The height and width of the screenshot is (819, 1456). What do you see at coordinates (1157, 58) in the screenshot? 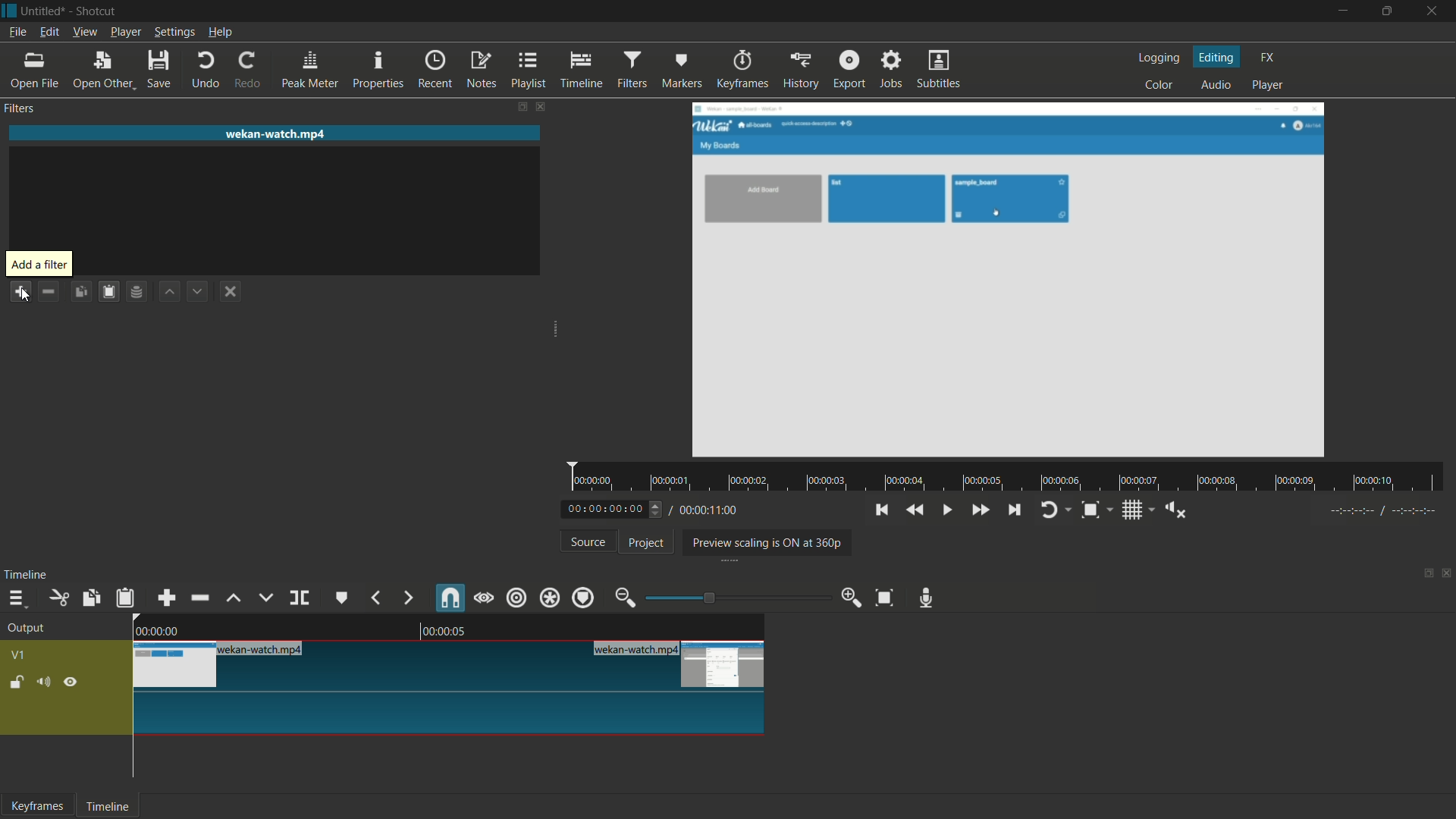
I see `logging` at bounding box center [1157, 58].